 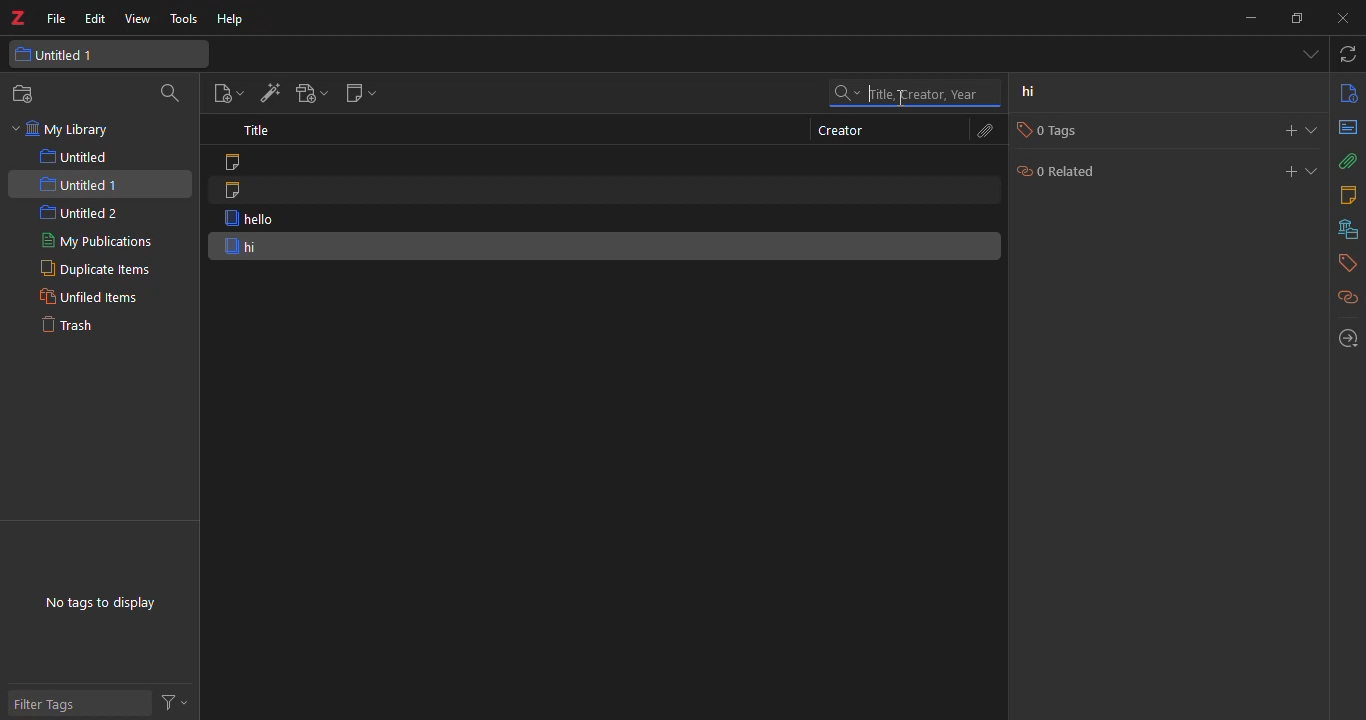 What do you see at coordinates (184, 19) in the screenshot?
I see `tools` at bounding box center [184, 19].